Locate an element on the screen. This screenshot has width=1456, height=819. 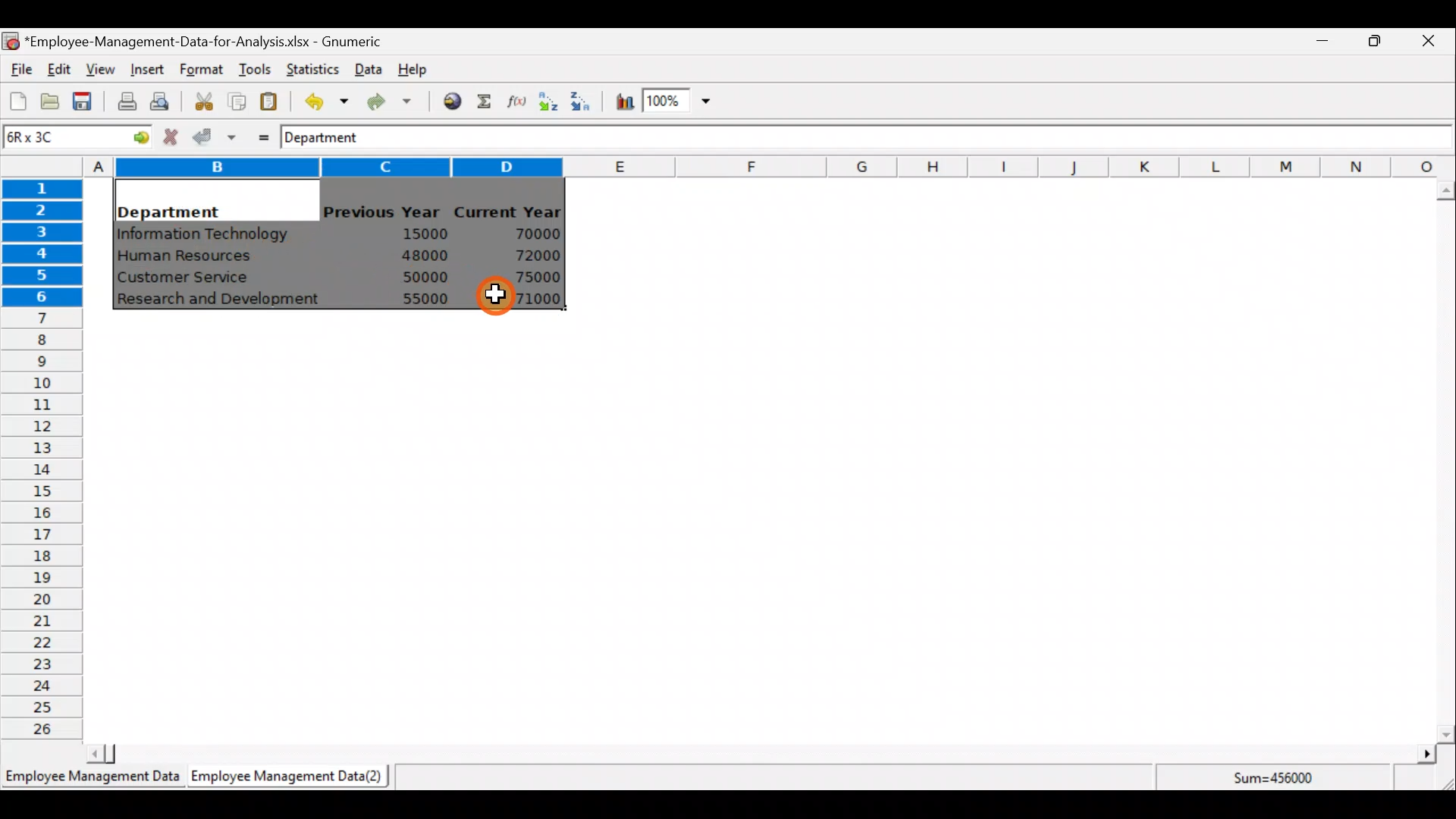
Statistics is located at coordinates (309, 67).